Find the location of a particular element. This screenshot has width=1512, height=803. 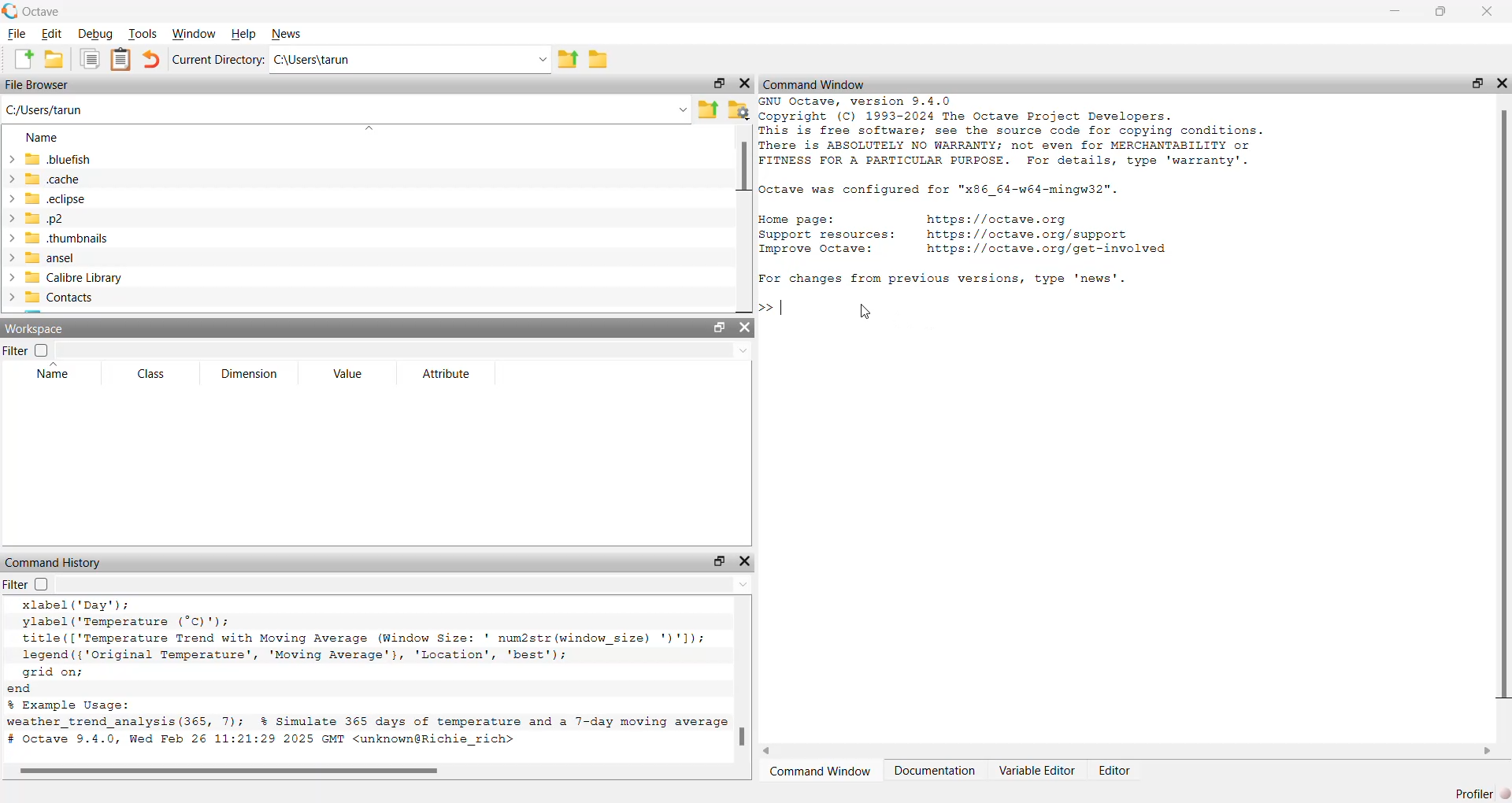

Filter  is located at coordinates (30, 351).